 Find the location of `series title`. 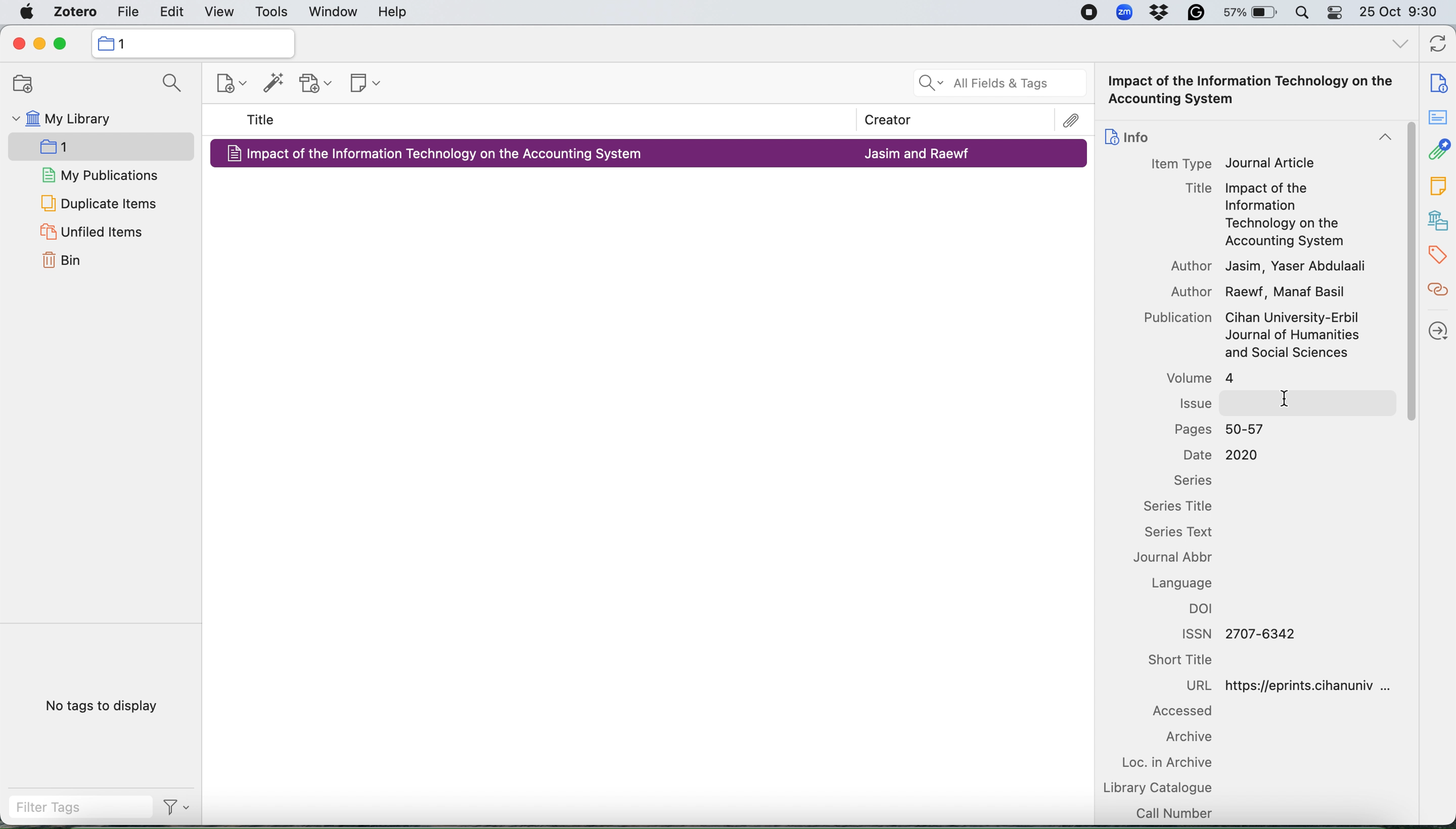

series title is located at coordinates (1185, 507).